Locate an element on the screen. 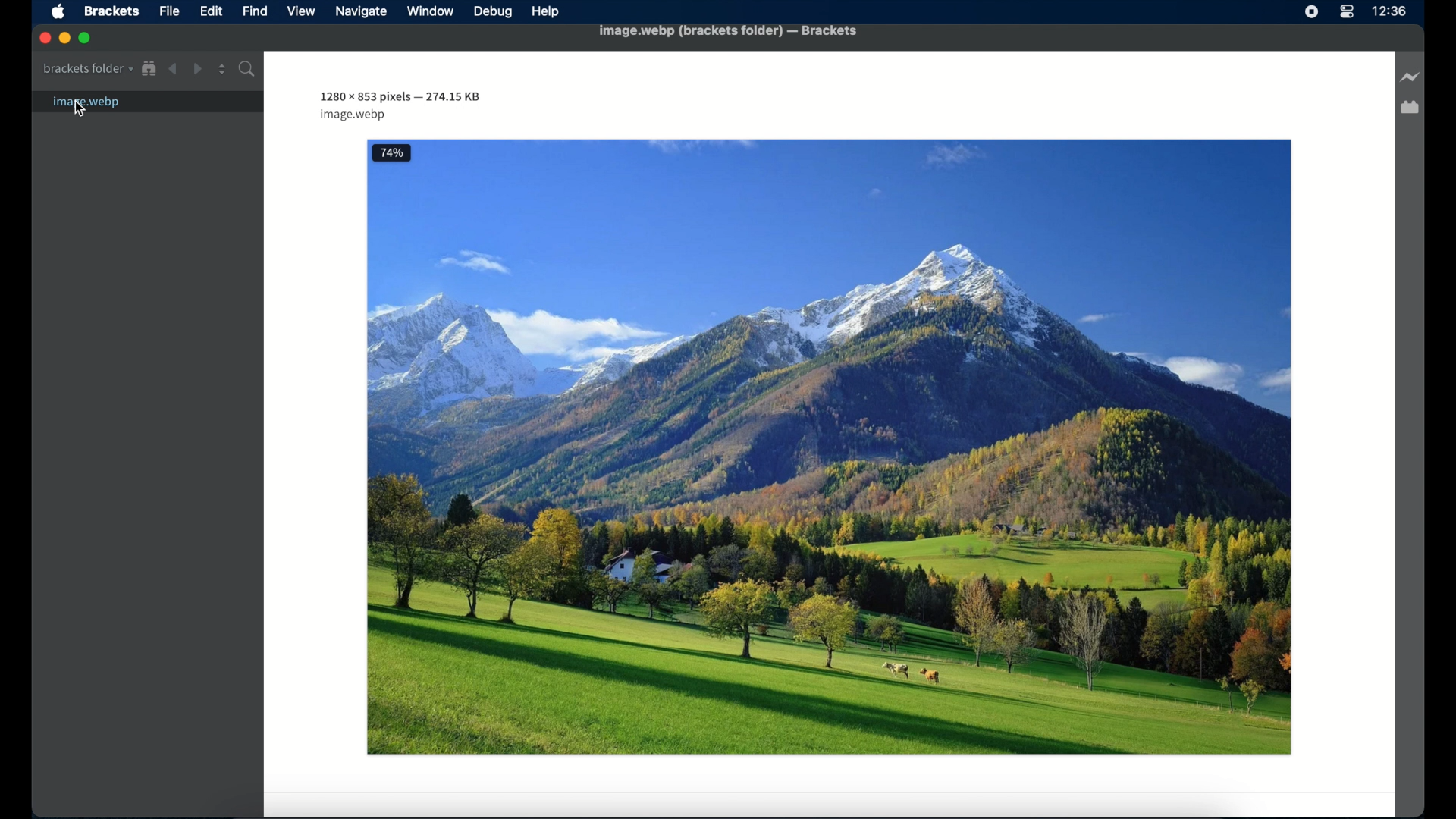 This screenshot has height=819, width=1456. find in folder is located at coordinates (249, 69).